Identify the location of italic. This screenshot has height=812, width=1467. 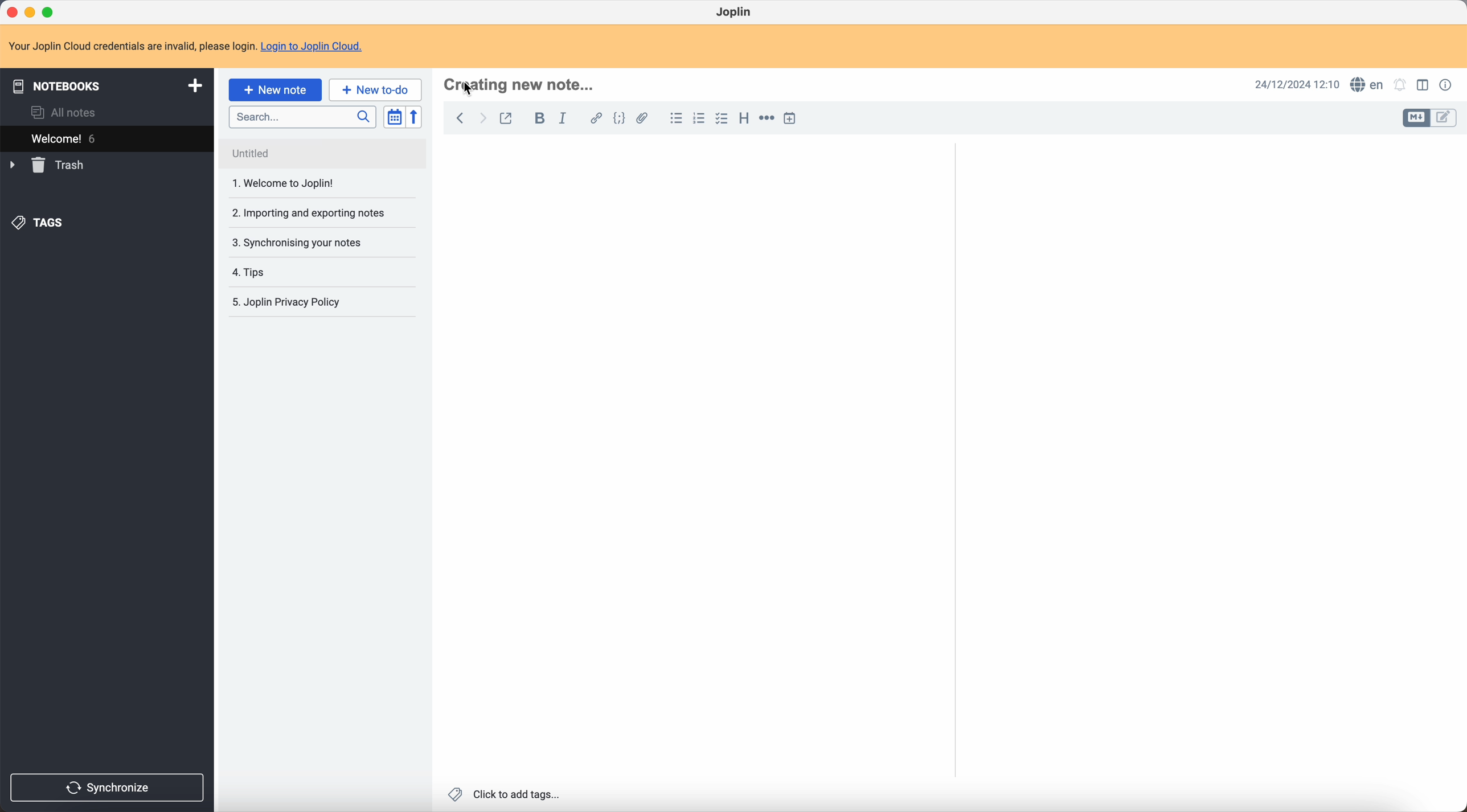
(565, 118).